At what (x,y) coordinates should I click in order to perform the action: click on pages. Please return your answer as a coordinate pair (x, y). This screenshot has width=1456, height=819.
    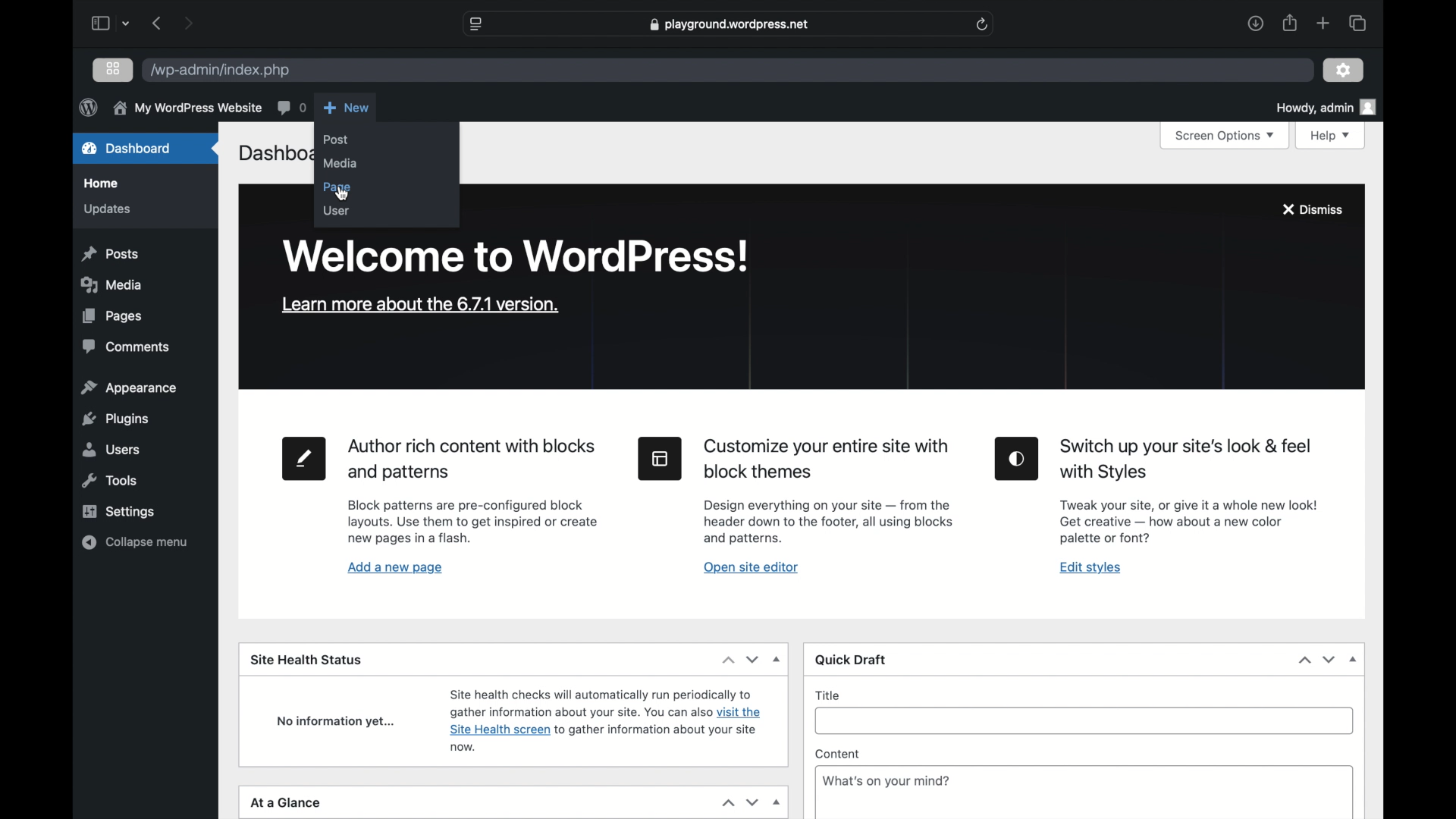
    Looking at the image, I should click on (112, 316).